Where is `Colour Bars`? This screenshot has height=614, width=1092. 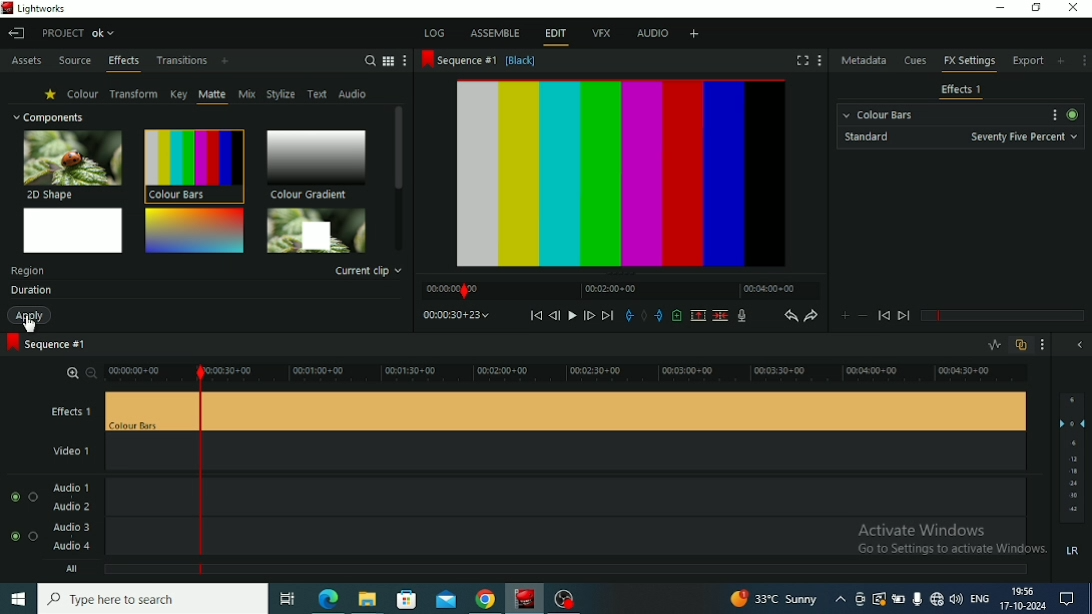
Colour Bars is located at coordinates (878, 112).